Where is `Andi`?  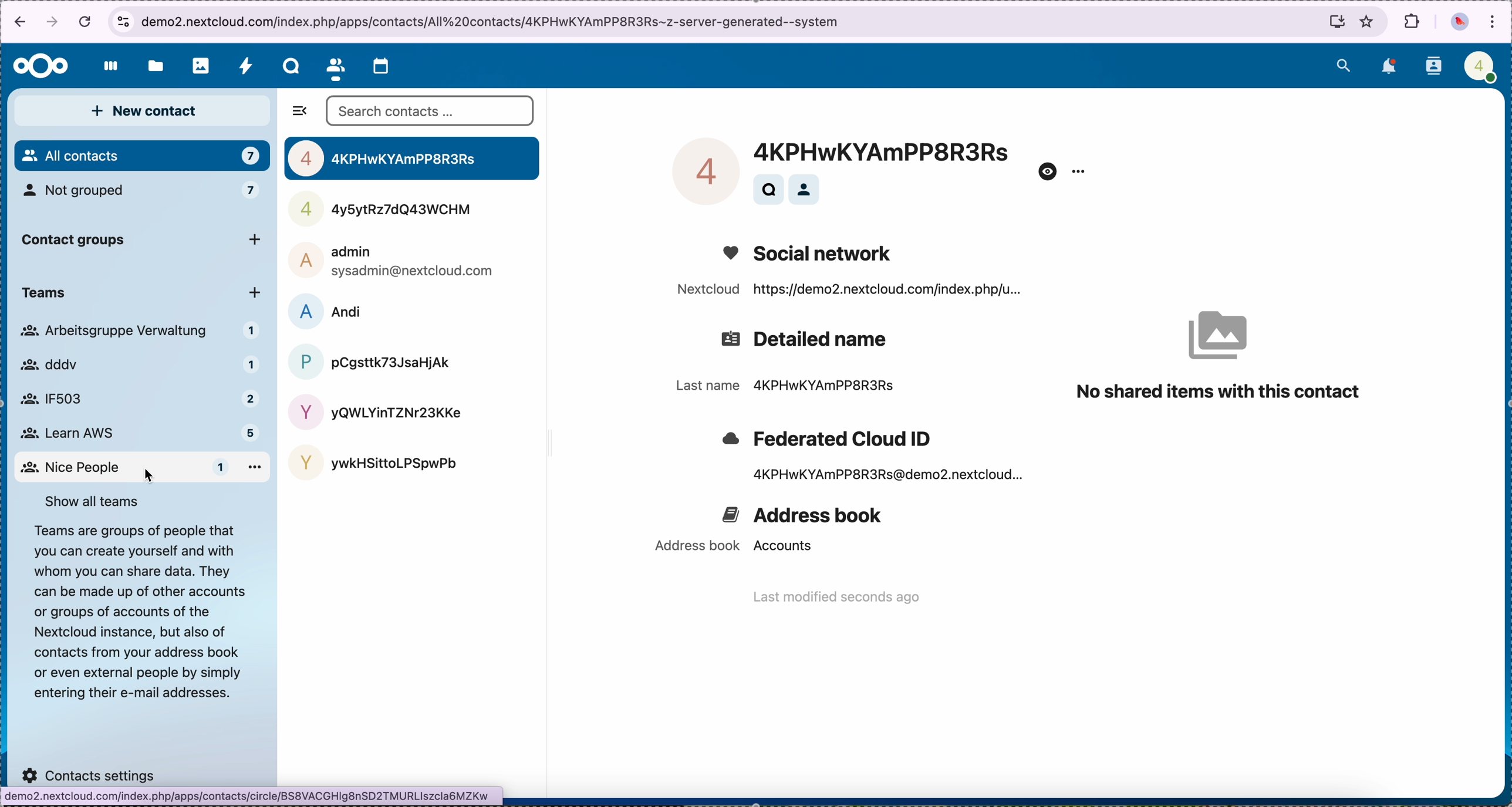
Andi is located at coordinates (333, 310).